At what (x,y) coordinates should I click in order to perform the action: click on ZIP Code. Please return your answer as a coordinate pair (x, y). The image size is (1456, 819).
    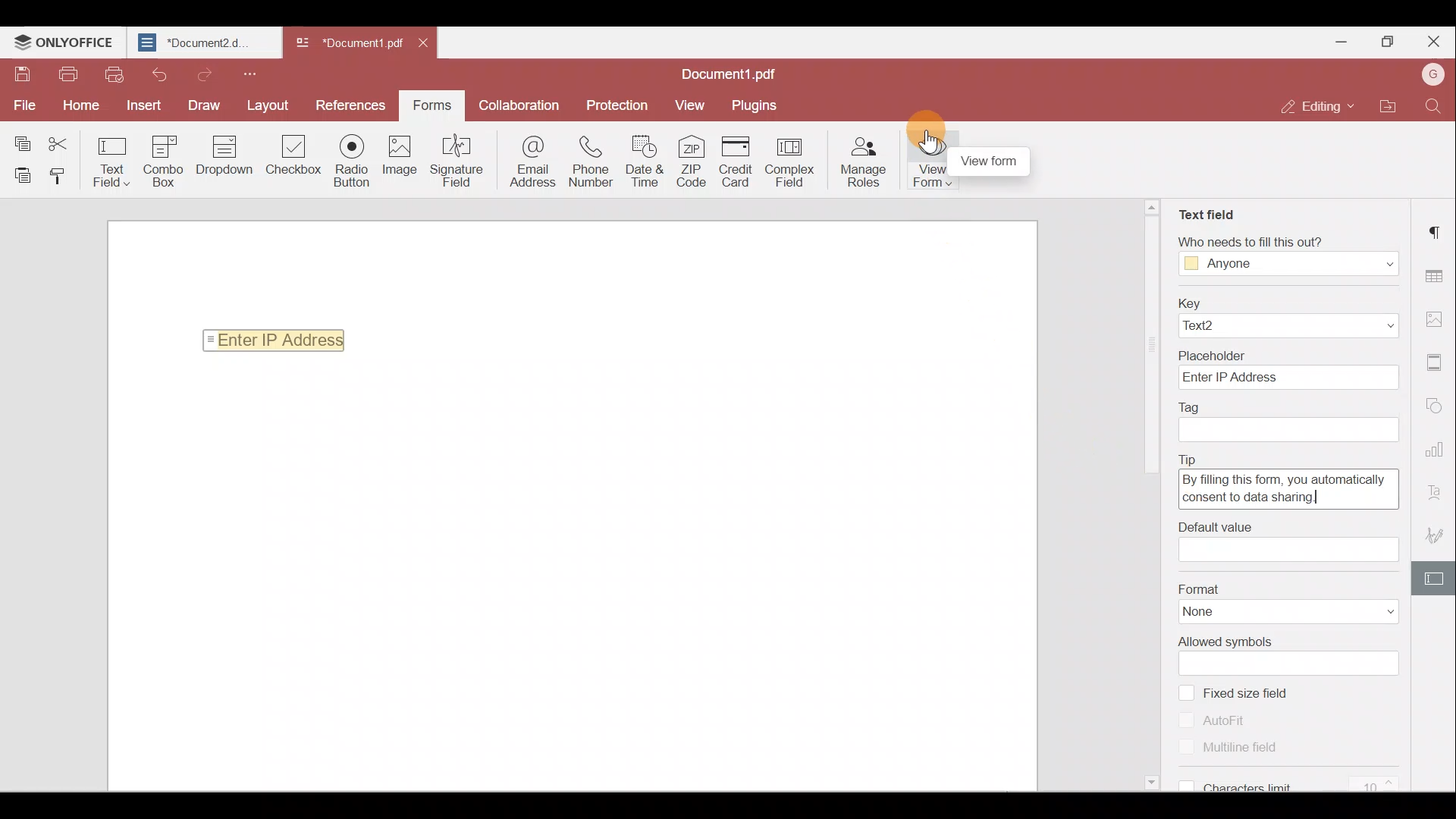
    Looking at the image, I should click on (691, 164).